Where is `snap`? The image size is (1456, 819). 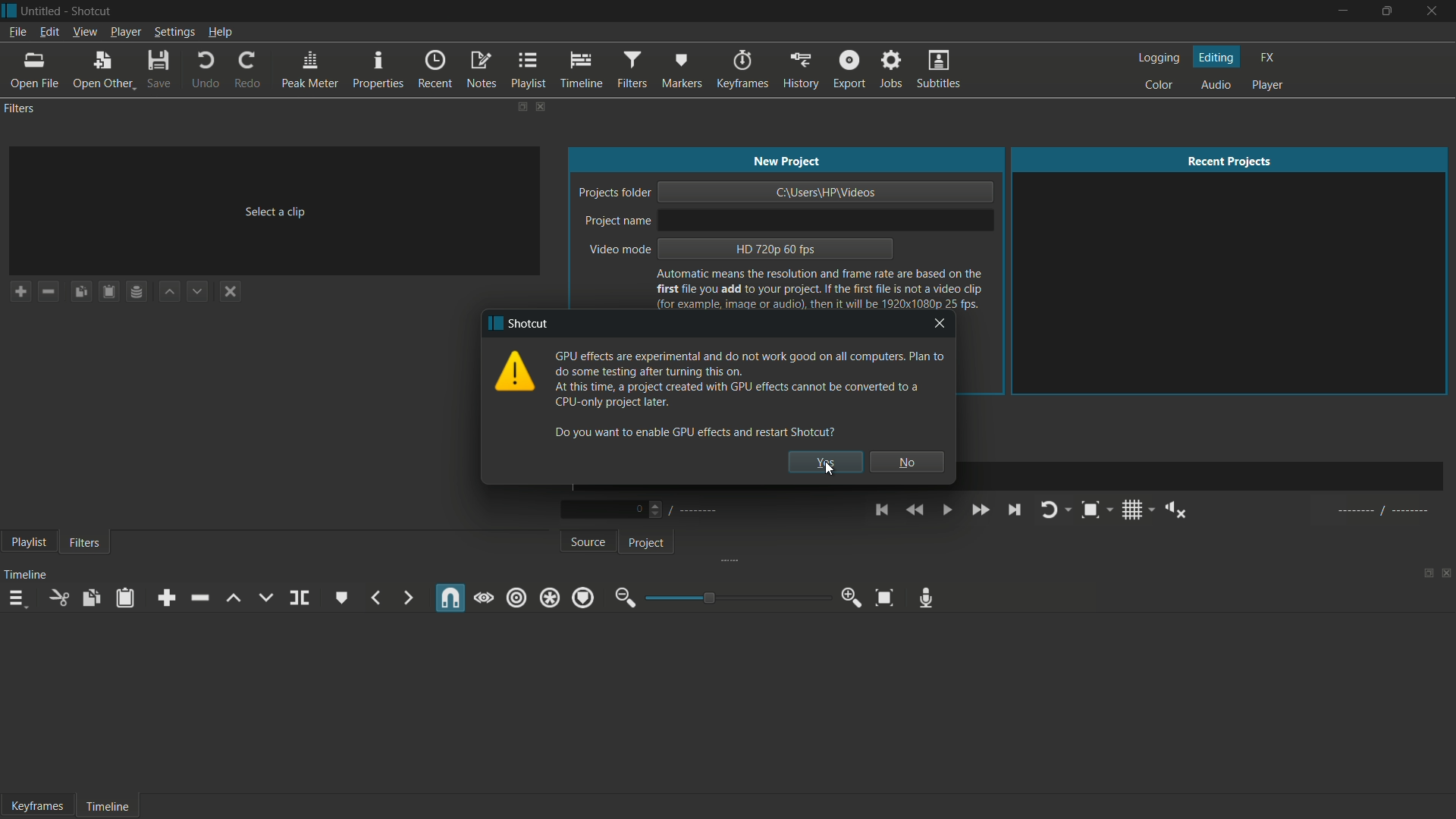
snap is located at coordinates (451, 598).